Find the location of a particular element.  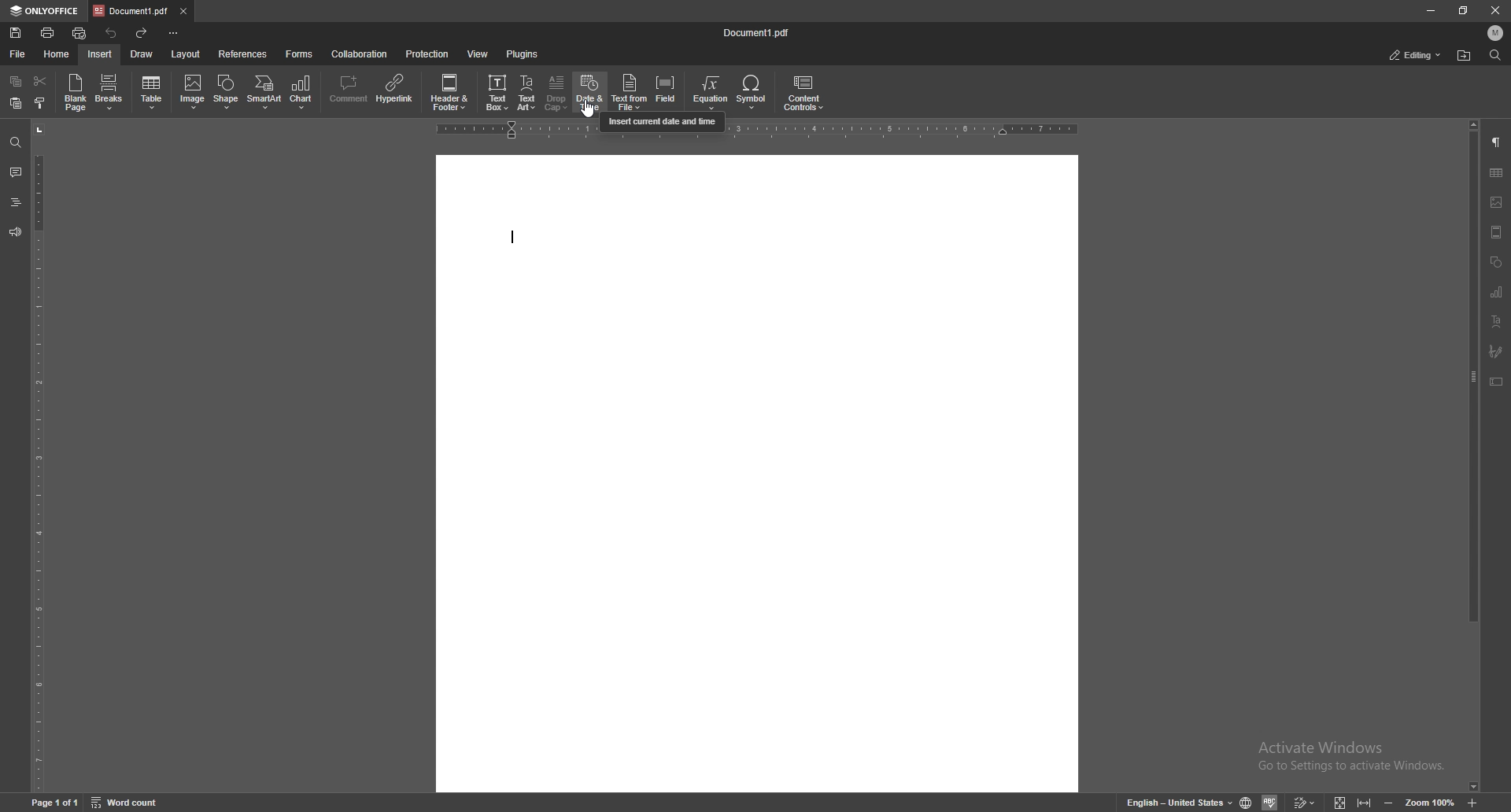

drop cap is located at coordinates (557, 93).